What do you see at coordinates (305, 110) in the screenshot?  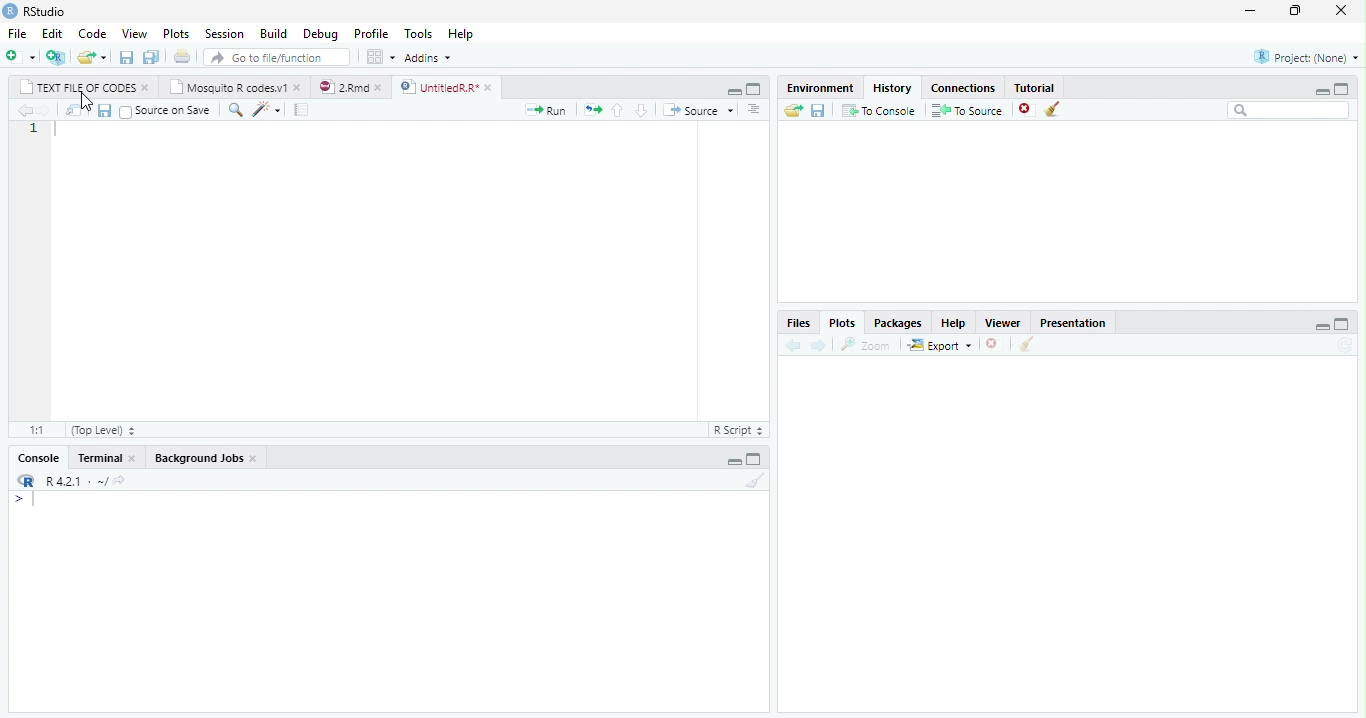 I see `compile report` at bounding box center [305, 110].